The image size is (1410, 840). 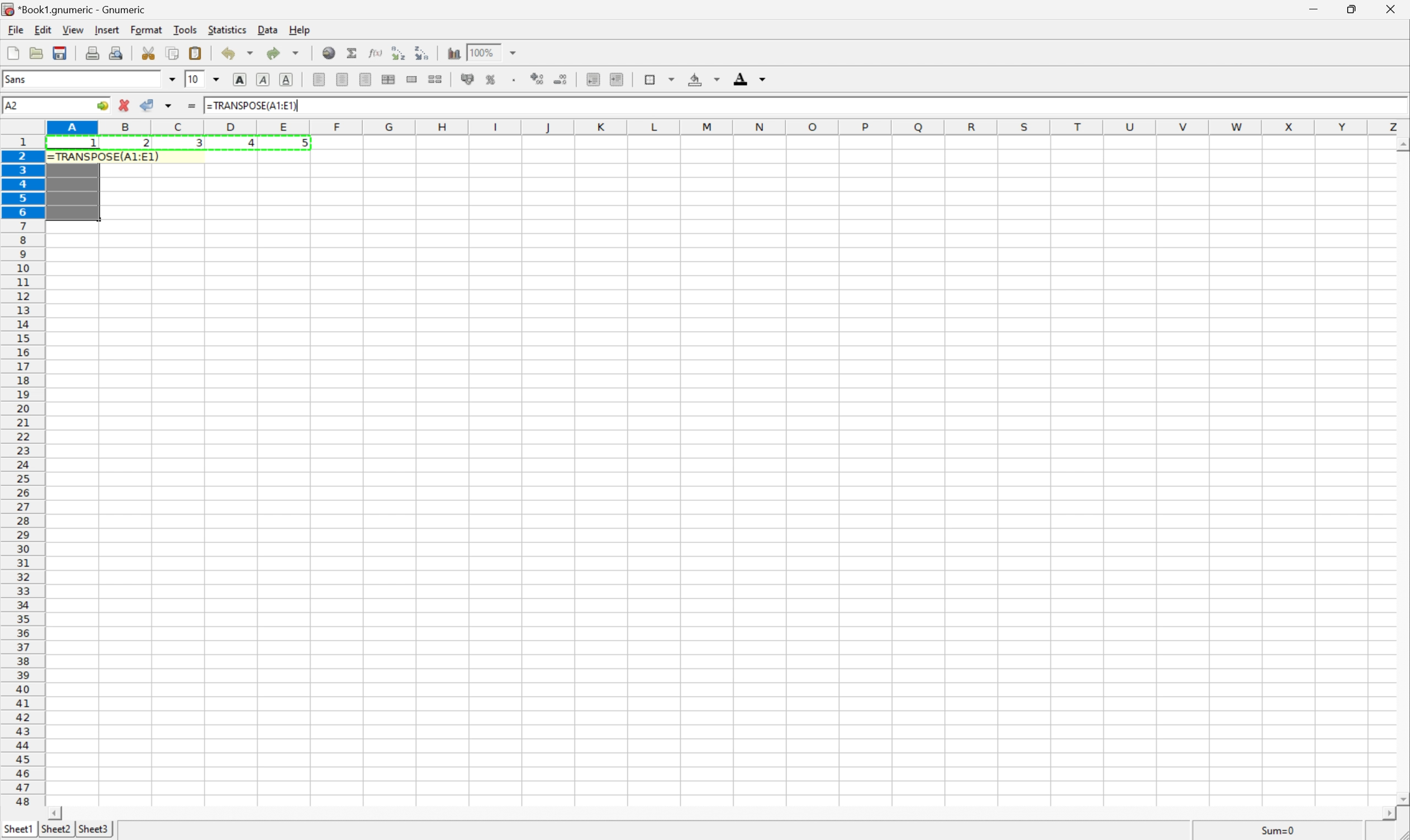 What do you see at coordinates (366, 79) in the screenshot?
I see `align right` at bounding box center [366, 79].